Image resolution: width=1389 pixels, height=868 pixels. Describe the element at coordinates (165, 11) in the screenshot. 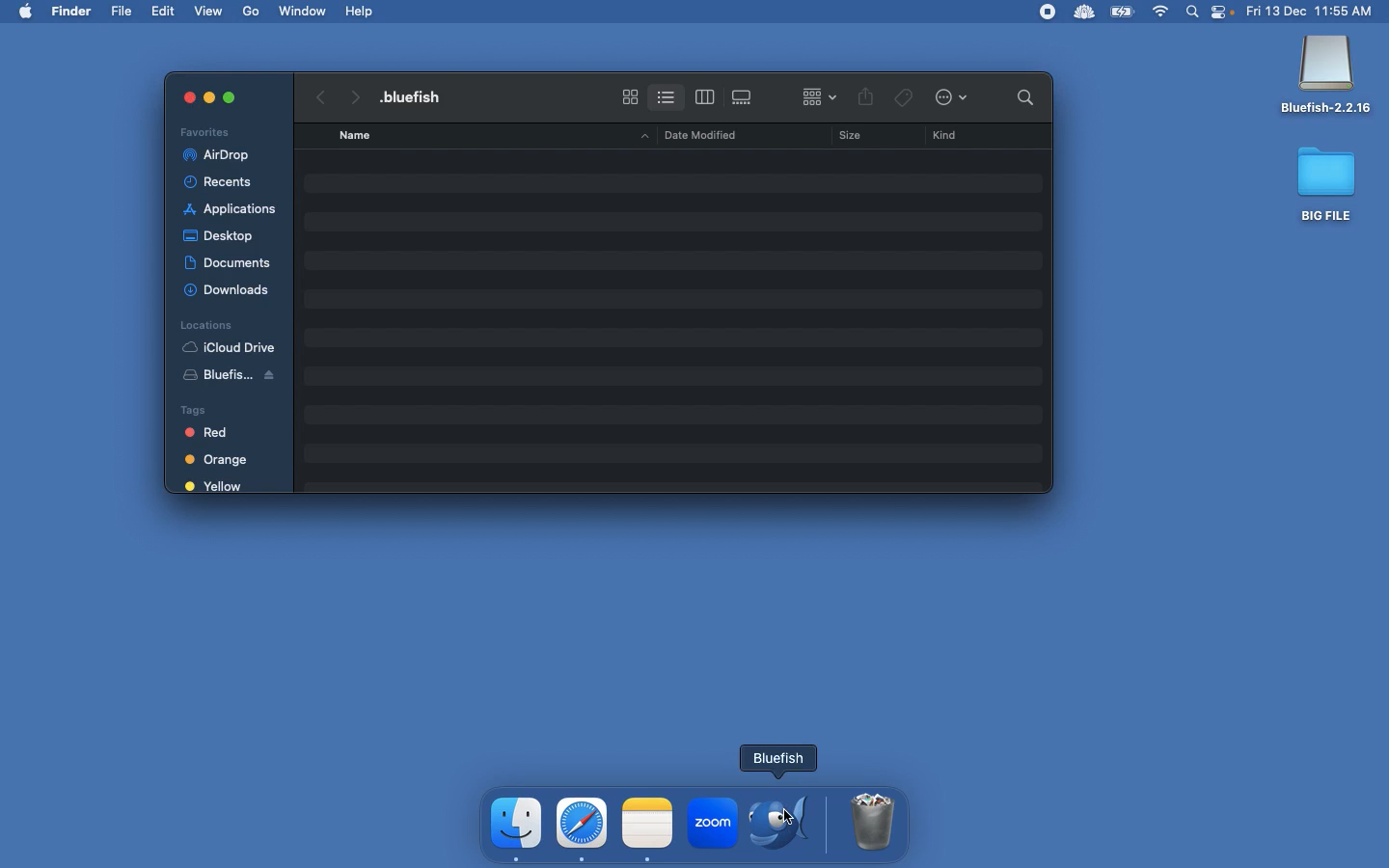

I see `Edit` at that location.